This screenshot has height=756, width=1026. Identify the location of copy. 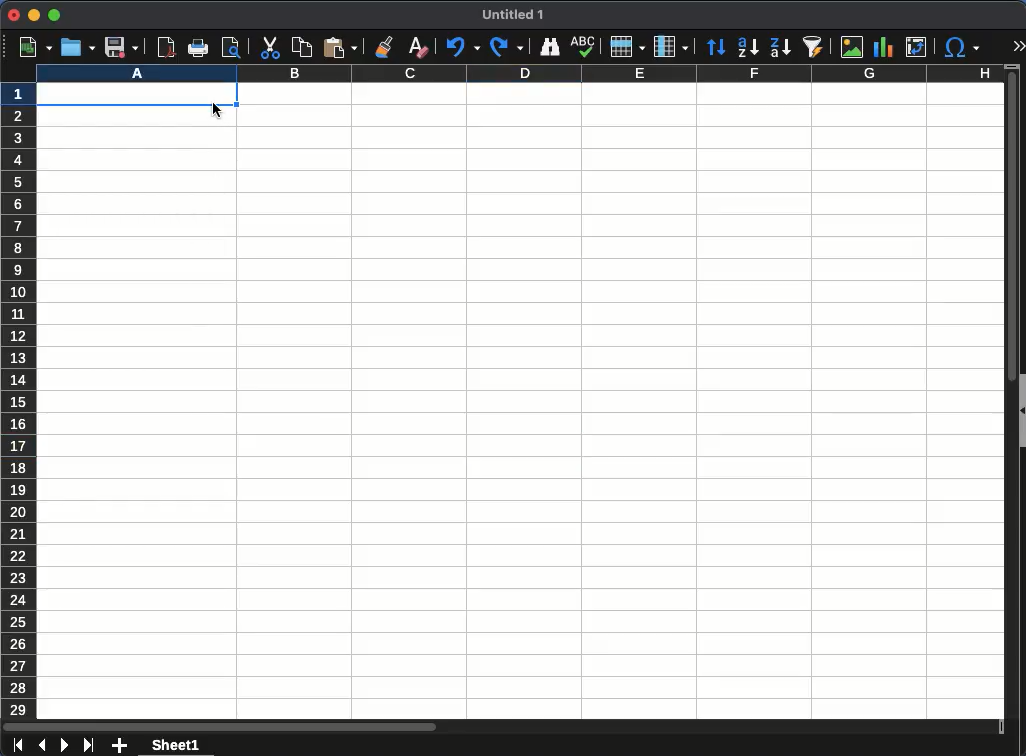
(301, 47).